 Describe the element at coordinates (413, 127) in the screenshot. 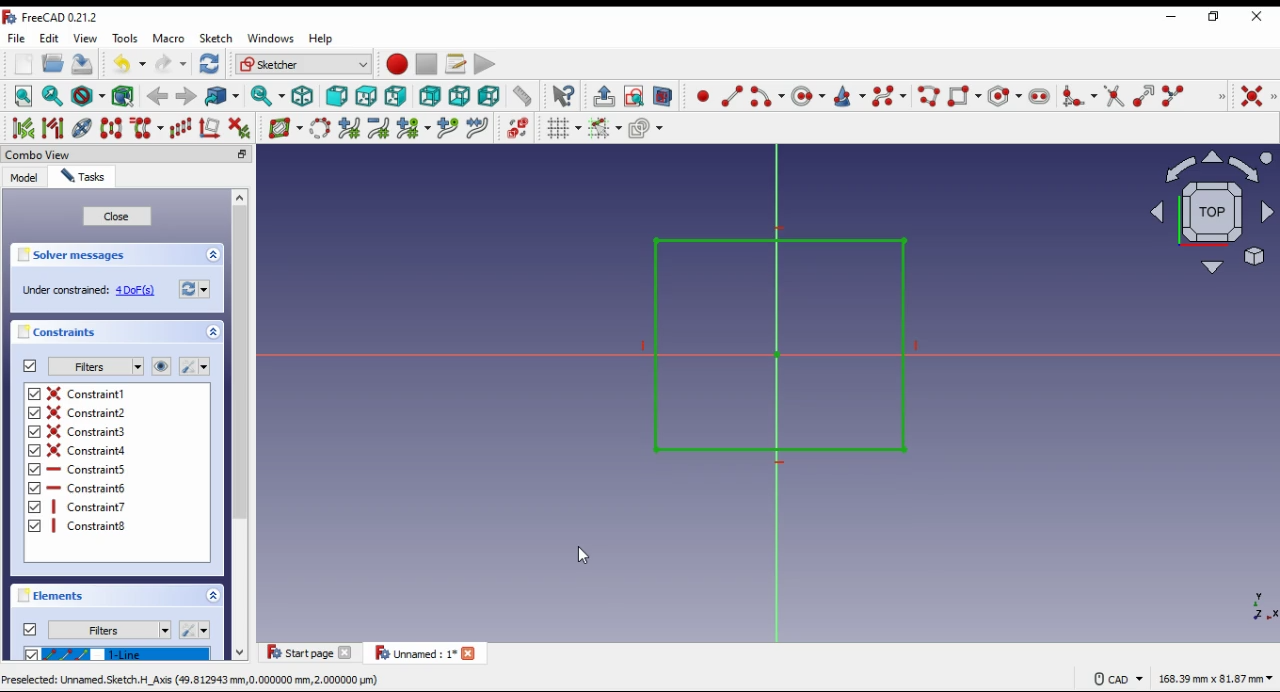

I see `modify knot multiplicity` at that location.